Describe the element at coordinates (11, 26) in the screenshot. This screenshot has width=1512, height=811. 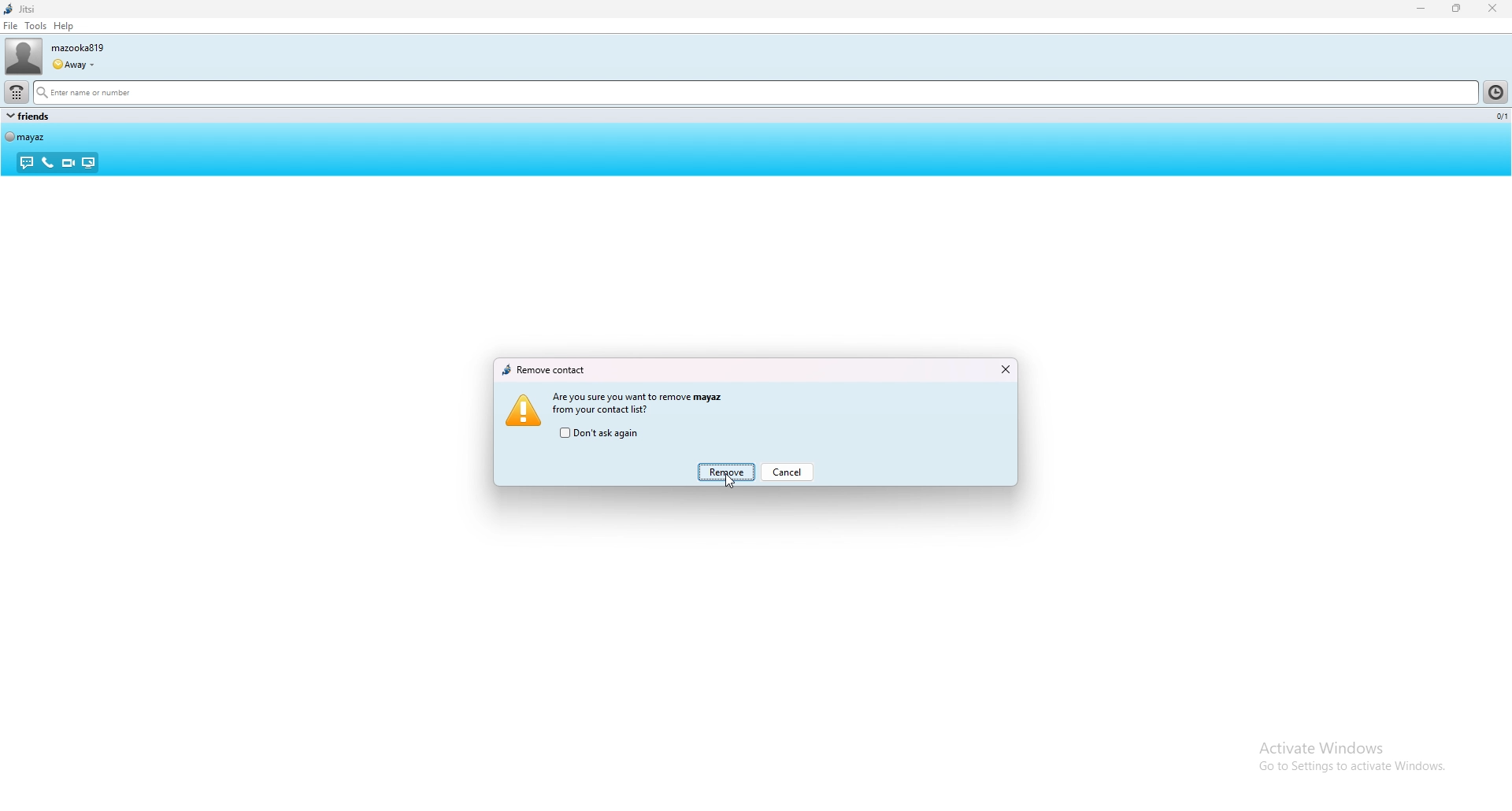
I see `file` at that location.